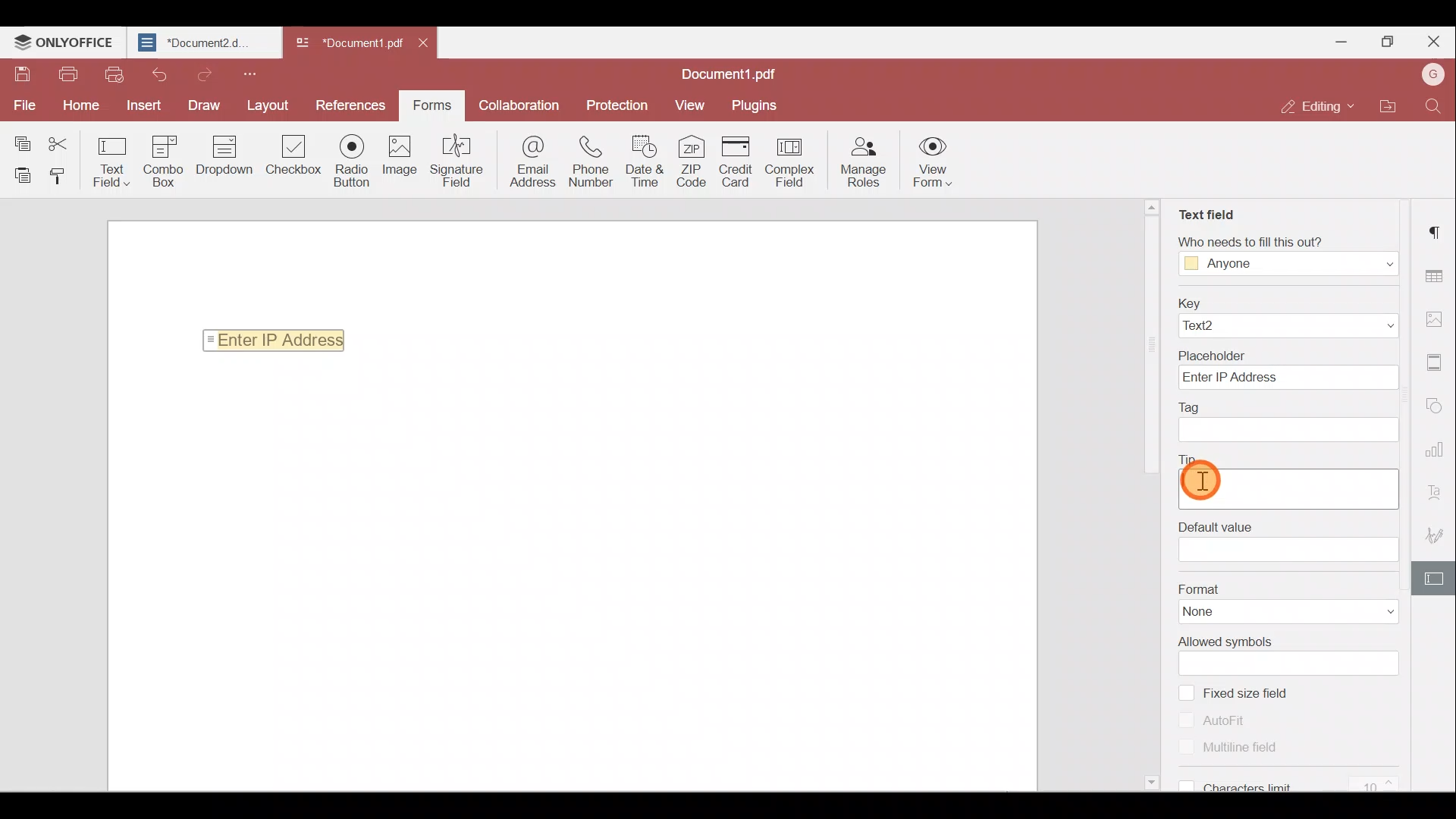 The width and height of the screenshot is (1456, 819). Describe the element at coordinates (570, 577) in the screenshot. I see `Working area` at that location.